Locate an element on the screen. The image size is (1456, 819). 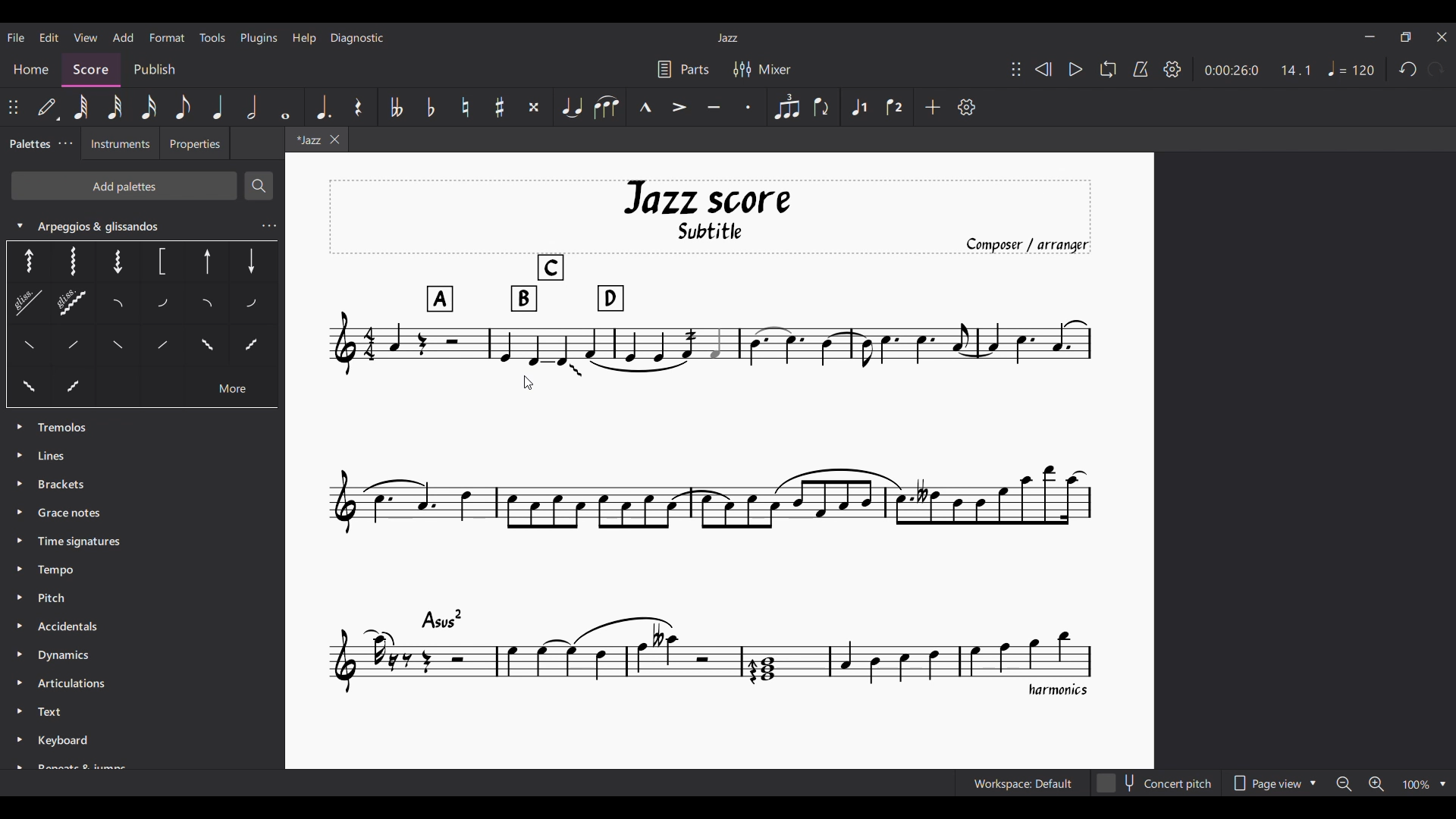
Add palettes is located at coordinates (124, 185).